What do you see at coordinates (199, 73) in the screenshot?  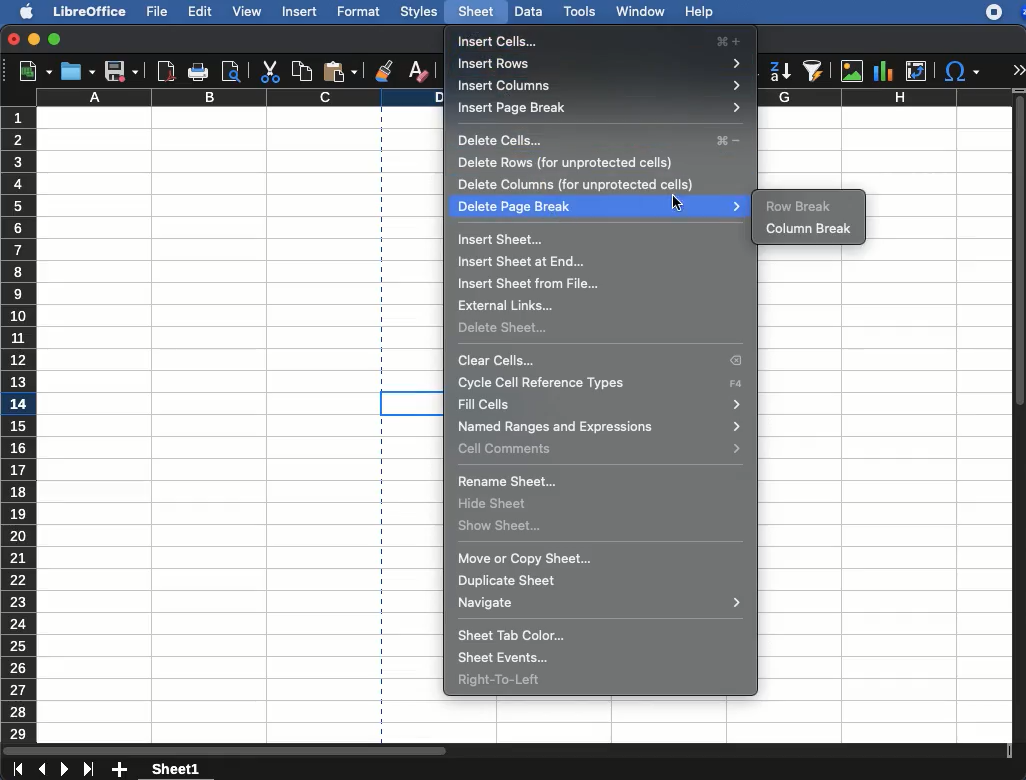 I see `print` at bounding box center [199, 73].